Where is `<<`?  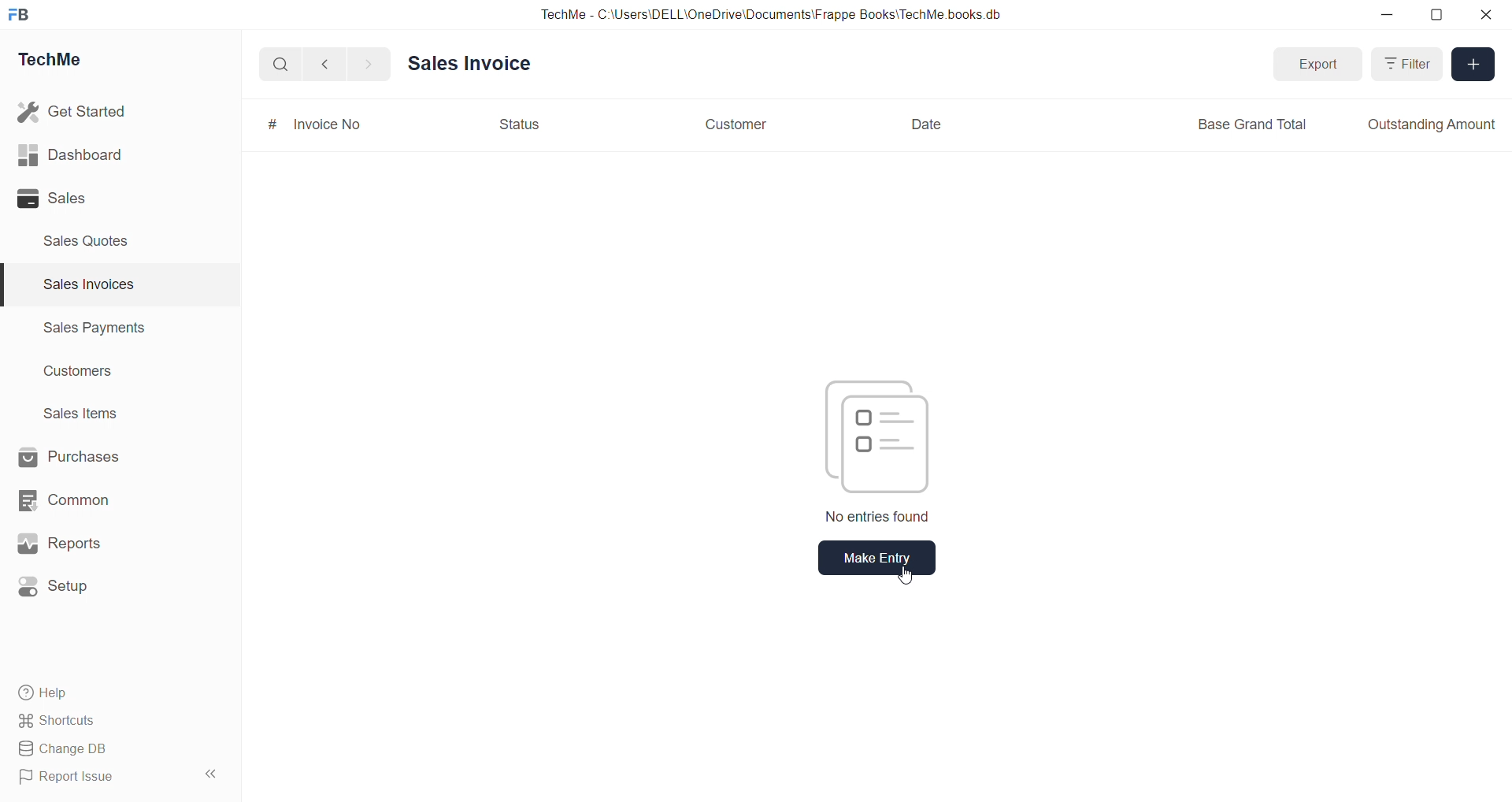 << is located at coordinates (209, 774).